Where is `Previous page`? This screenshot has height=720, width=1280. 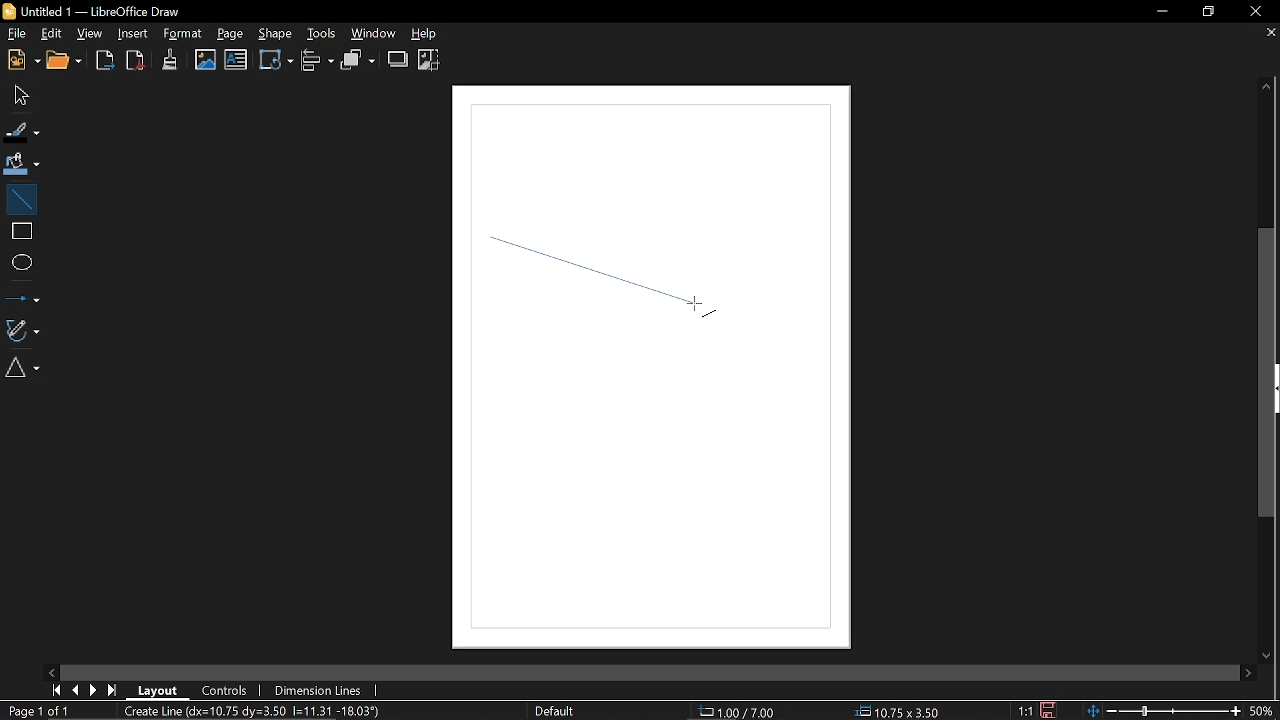 Previous page is located at coordinates (77, 689).